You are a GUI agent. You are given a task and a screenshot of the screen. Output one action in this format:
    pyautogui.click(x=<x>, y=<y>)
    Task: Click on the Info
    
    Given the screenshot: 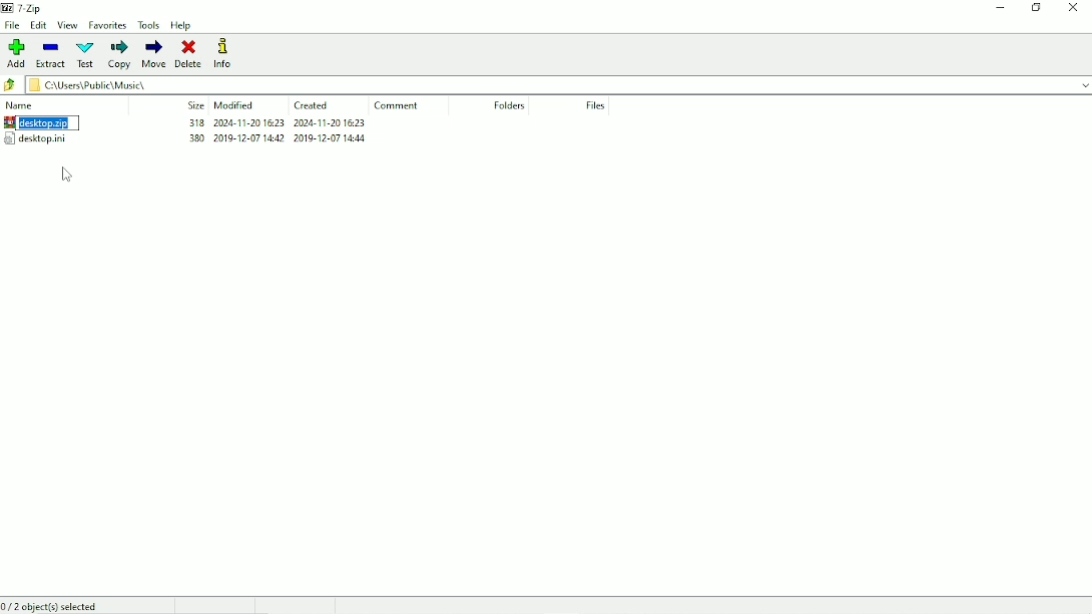 What is the action you would take?
    pyautogui.click(x=226, y=54)
    